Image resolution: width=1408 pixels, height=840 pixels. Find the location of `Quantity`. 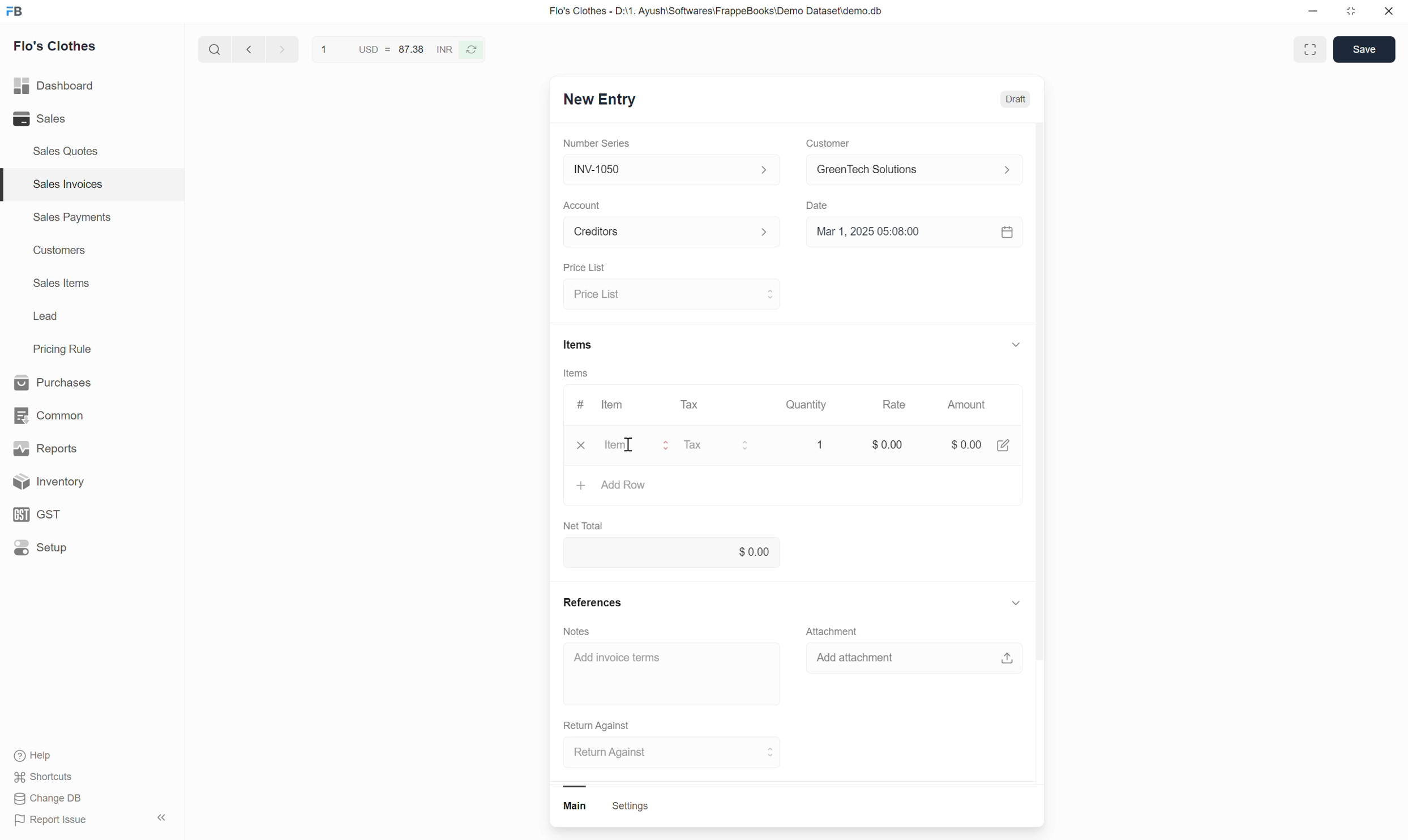

Quantity is located at coordinates (810, 406).